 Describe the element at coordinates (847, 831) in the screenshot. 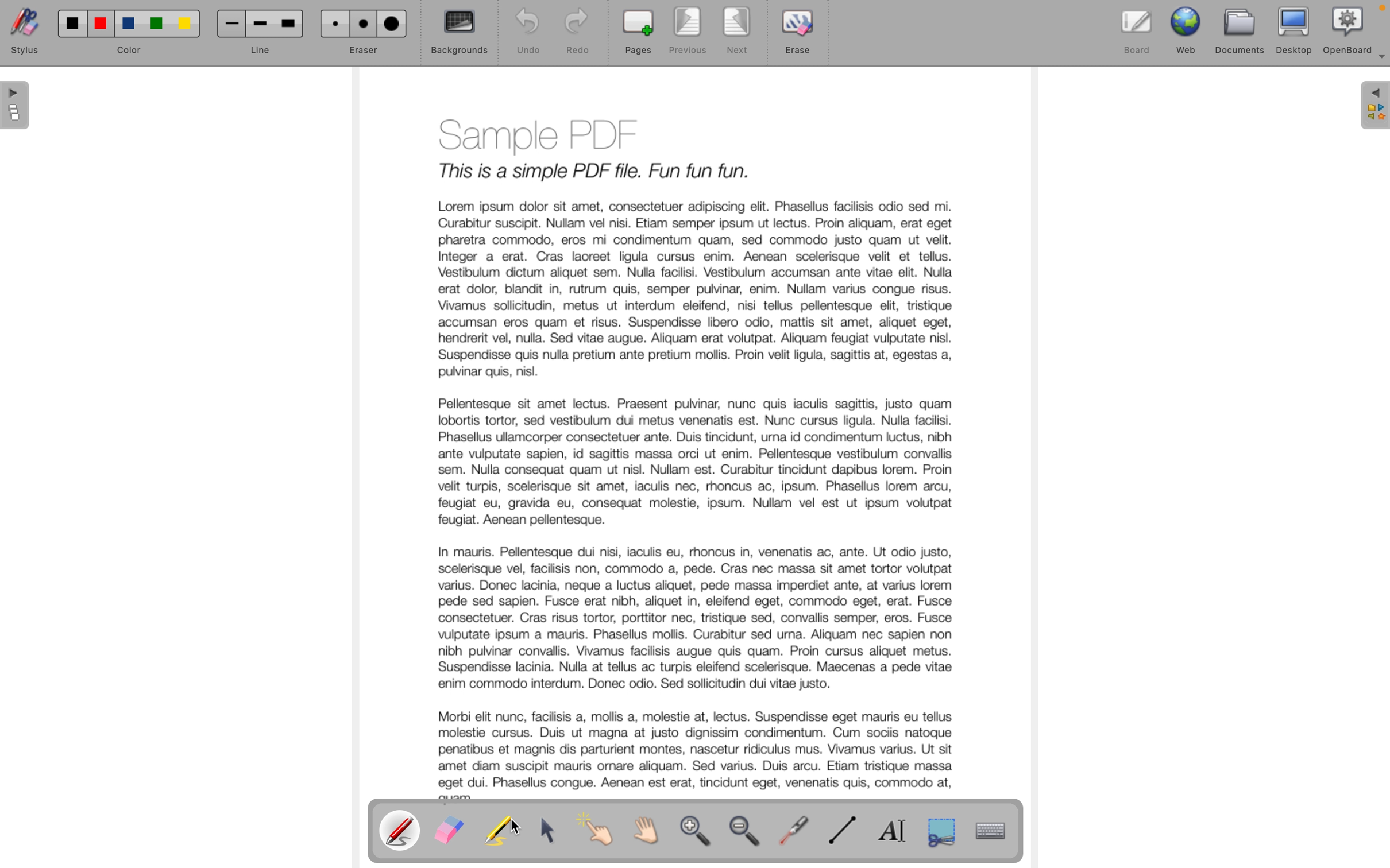

I see `draw line` at that location.